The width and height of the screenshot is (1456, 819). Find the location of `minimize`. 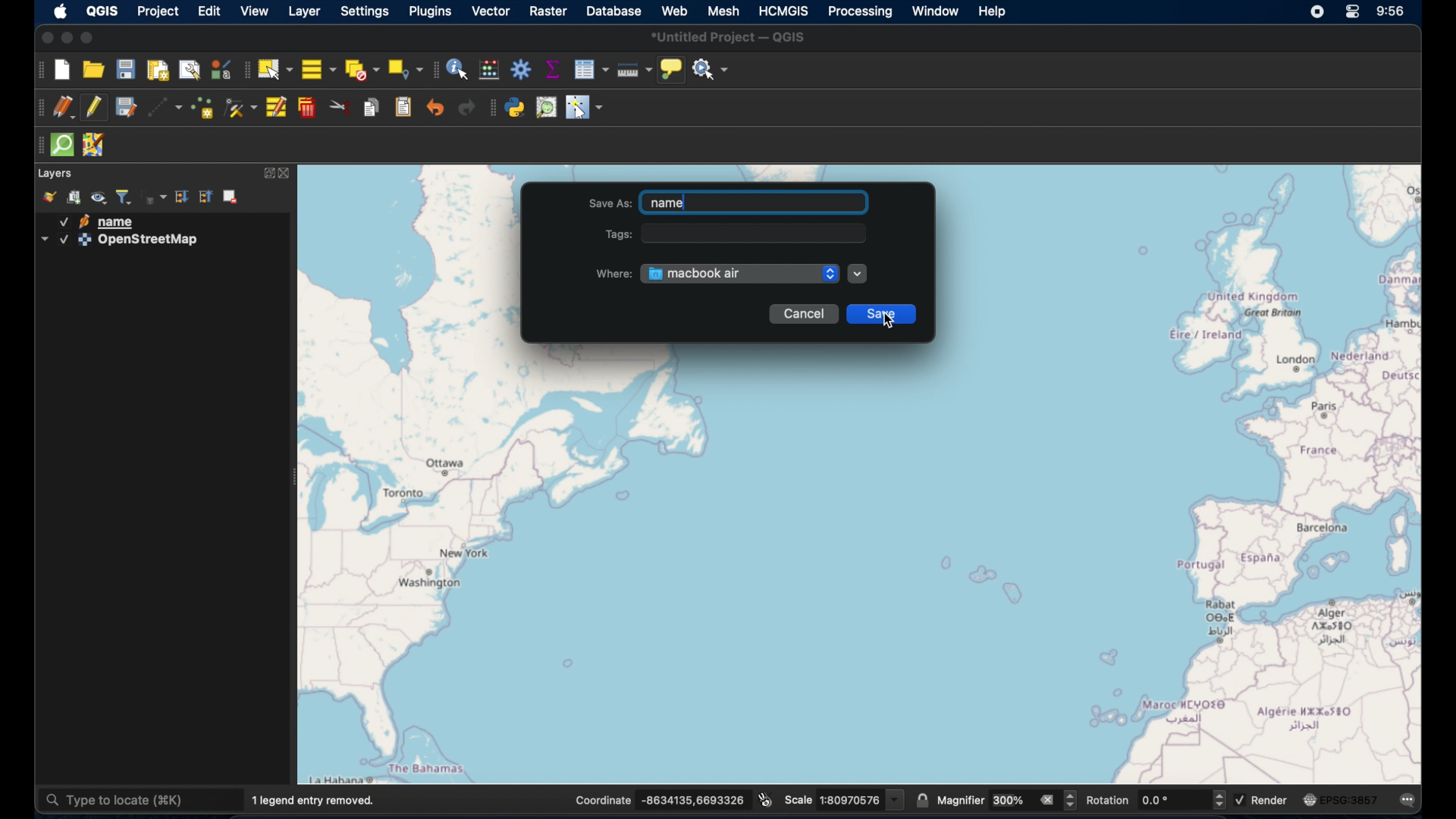

minimize is located at coordinates (67, 39).